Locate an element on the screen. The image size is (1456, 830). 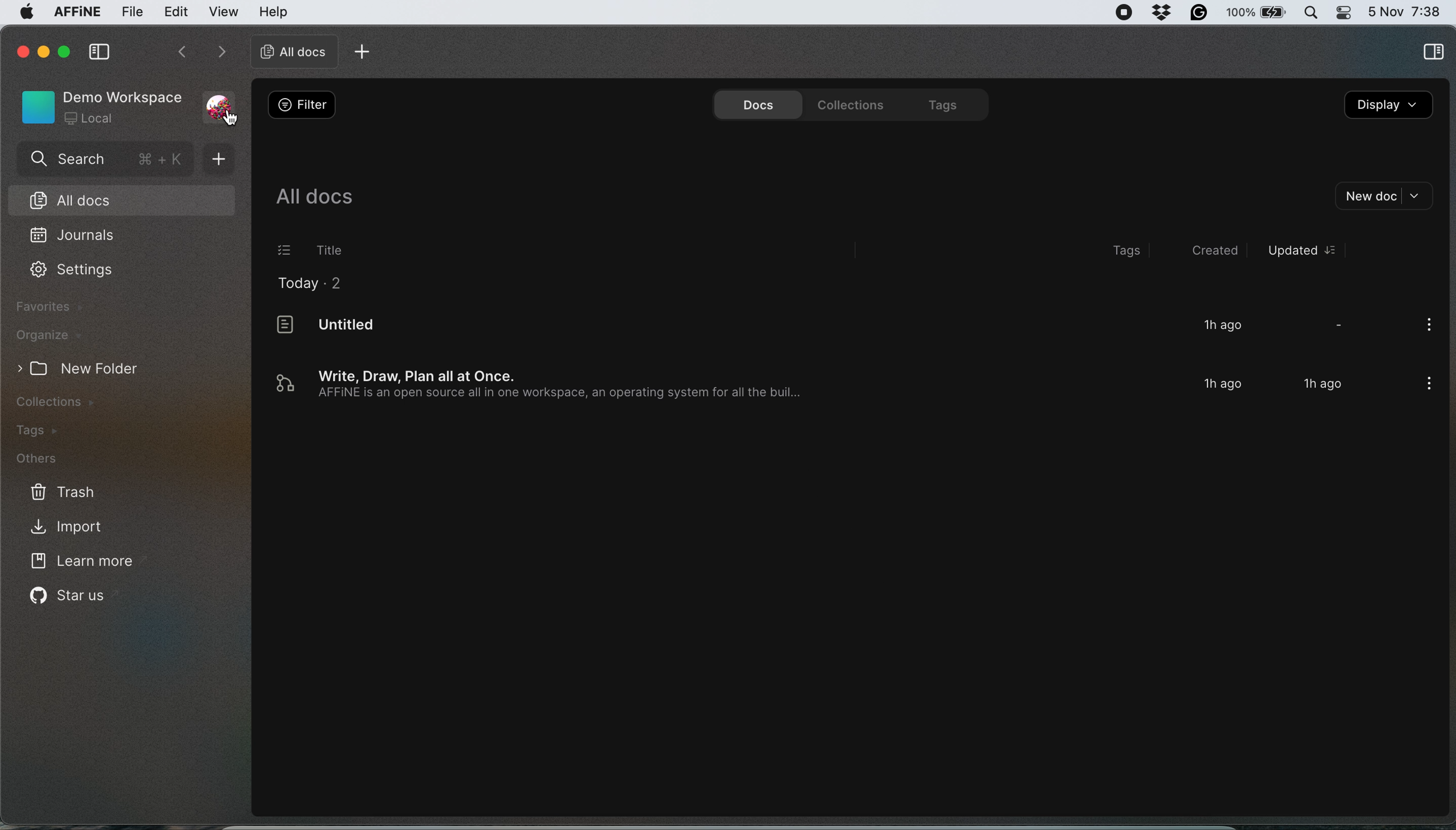
affine is located at coordinates (76, 14).